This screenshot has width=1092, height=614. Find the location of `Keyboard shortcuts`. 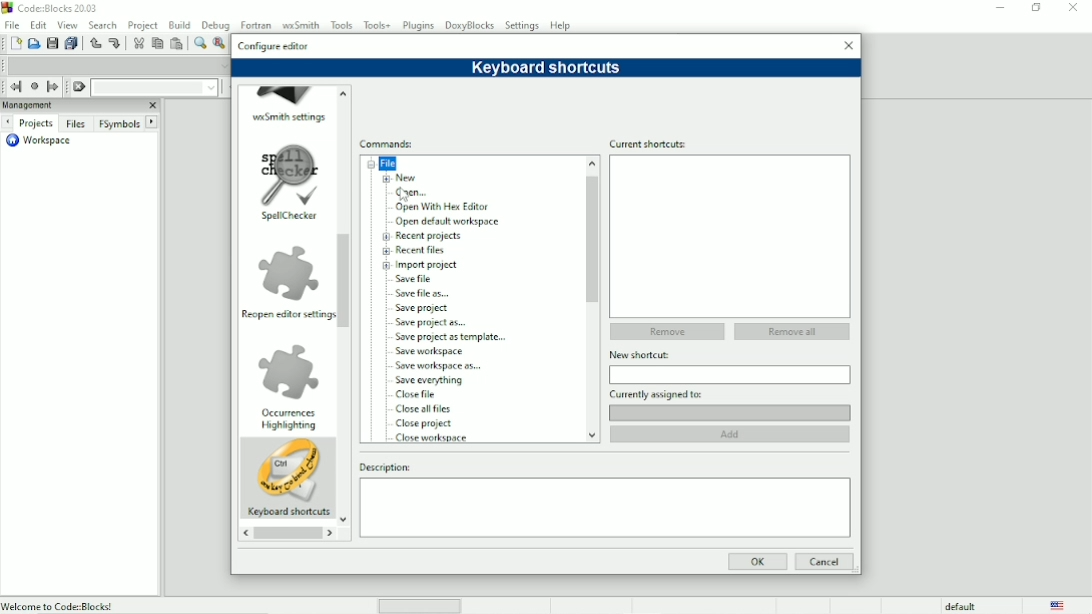

Keyboard shortcuts is located at coordinates (288, 513).